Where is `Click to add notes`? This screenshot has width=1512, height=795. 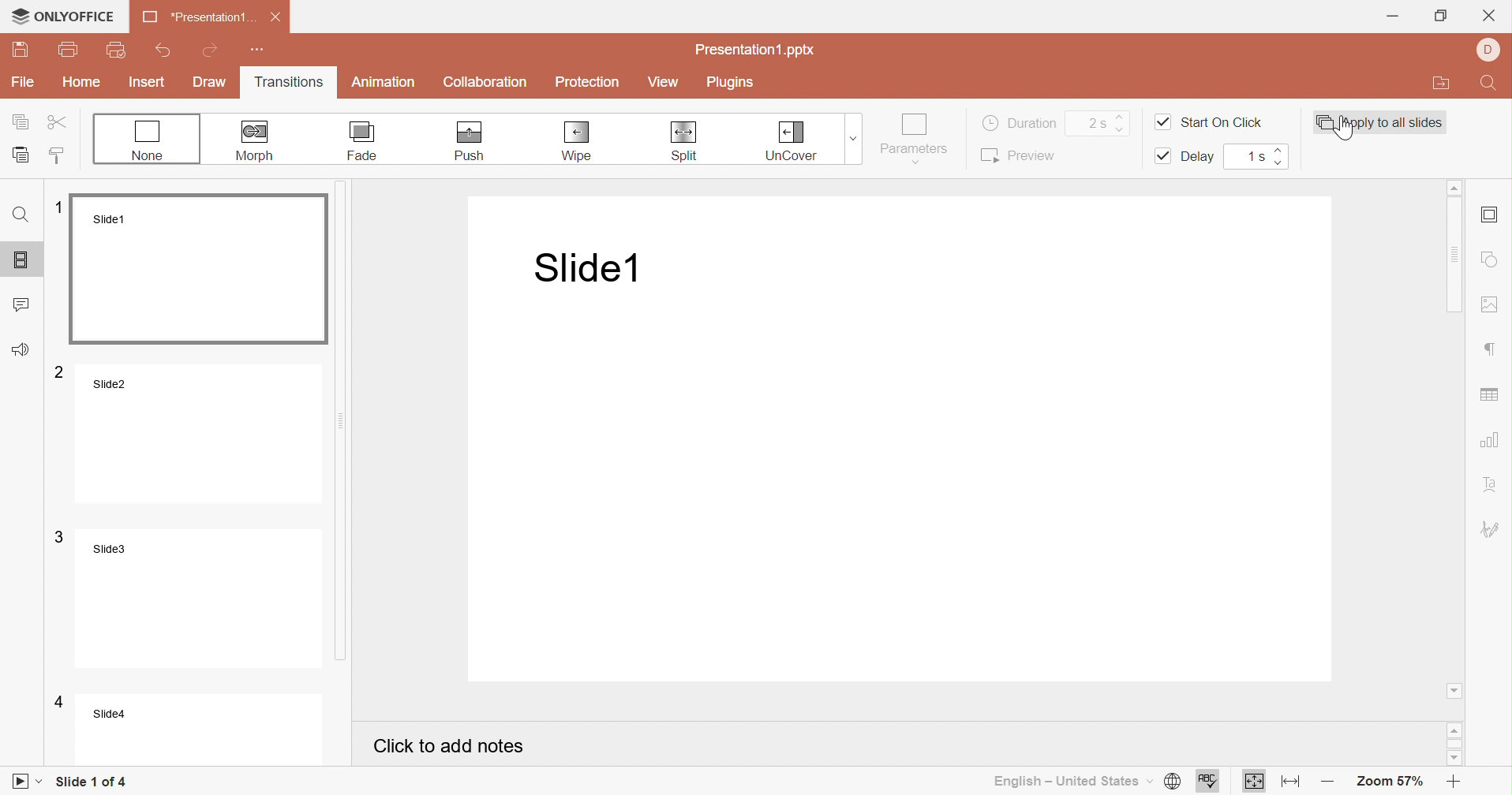
Click to add notes is located at coordinates (449, 746).